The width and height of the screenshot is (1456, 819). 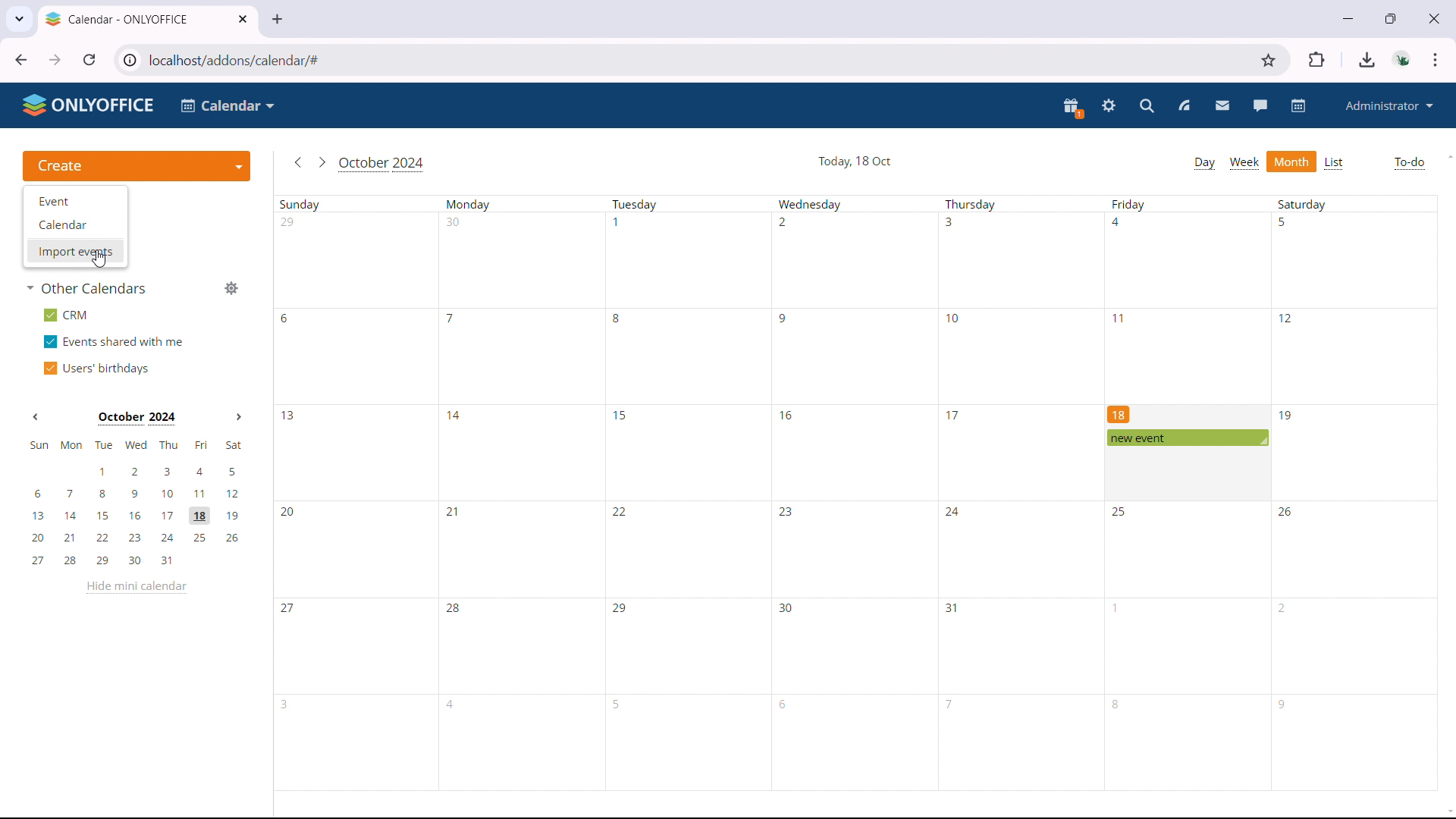 I want to click on Event, so click(x=55, y=201).